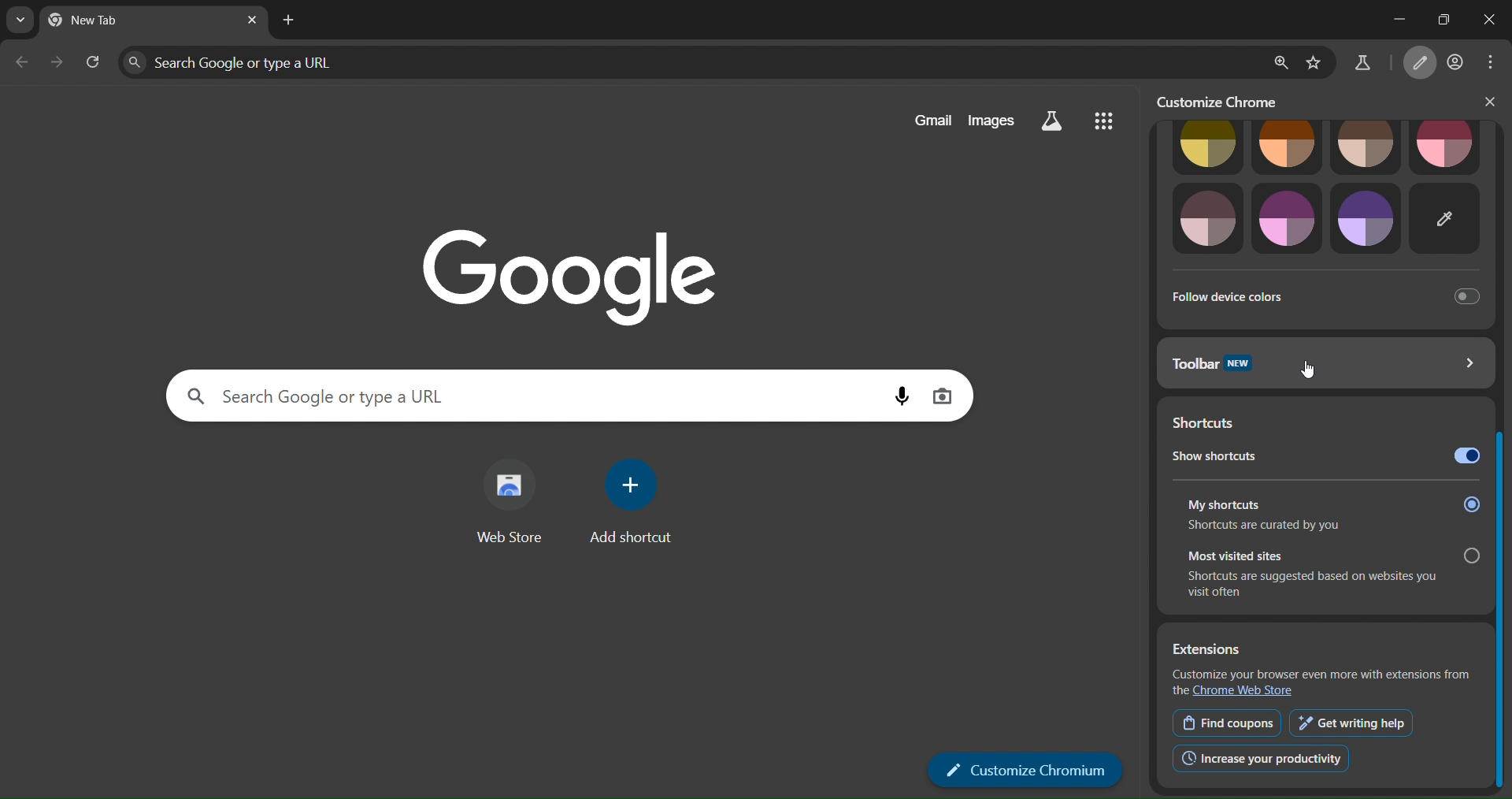 The width and height of the screenshot is (1512, 799). I want to click on follow device colors, so click(1327, 296).